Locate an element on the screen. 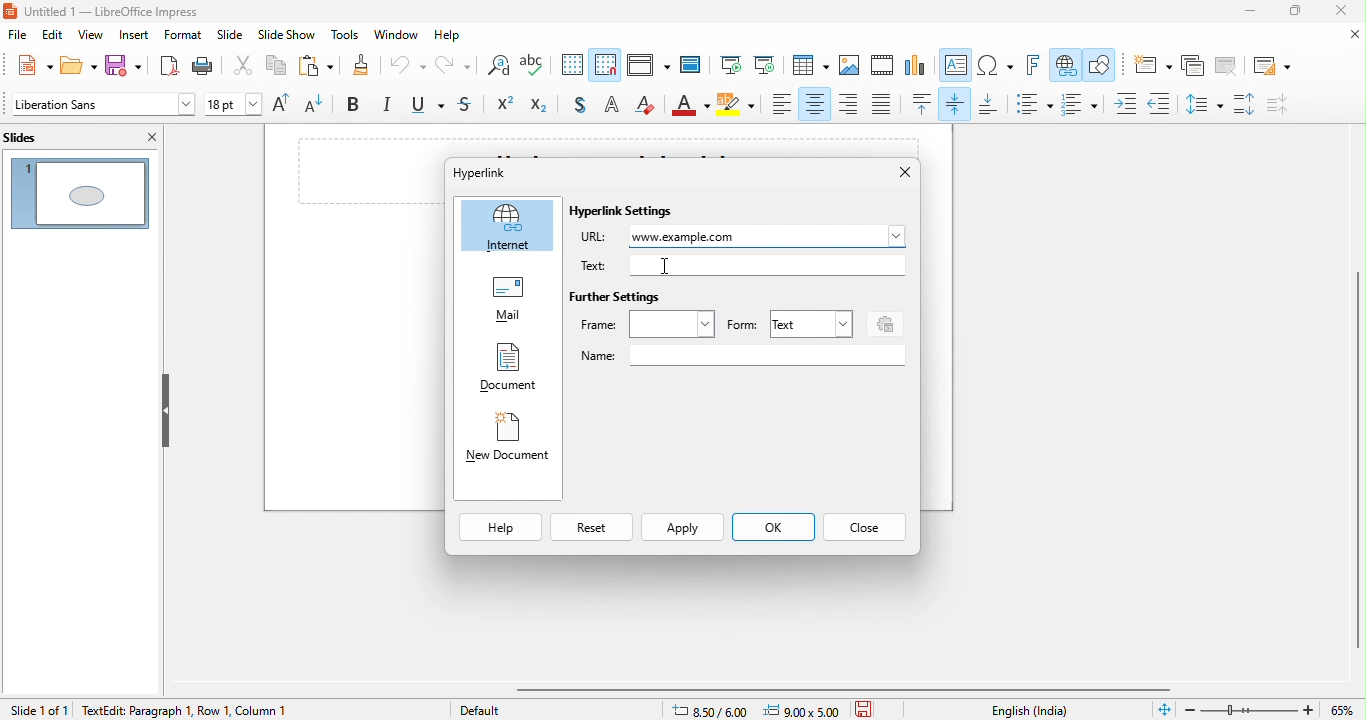 This screenshot has height=720, width=1366. horizontal scroll bar is located at coordinates (851, 689).